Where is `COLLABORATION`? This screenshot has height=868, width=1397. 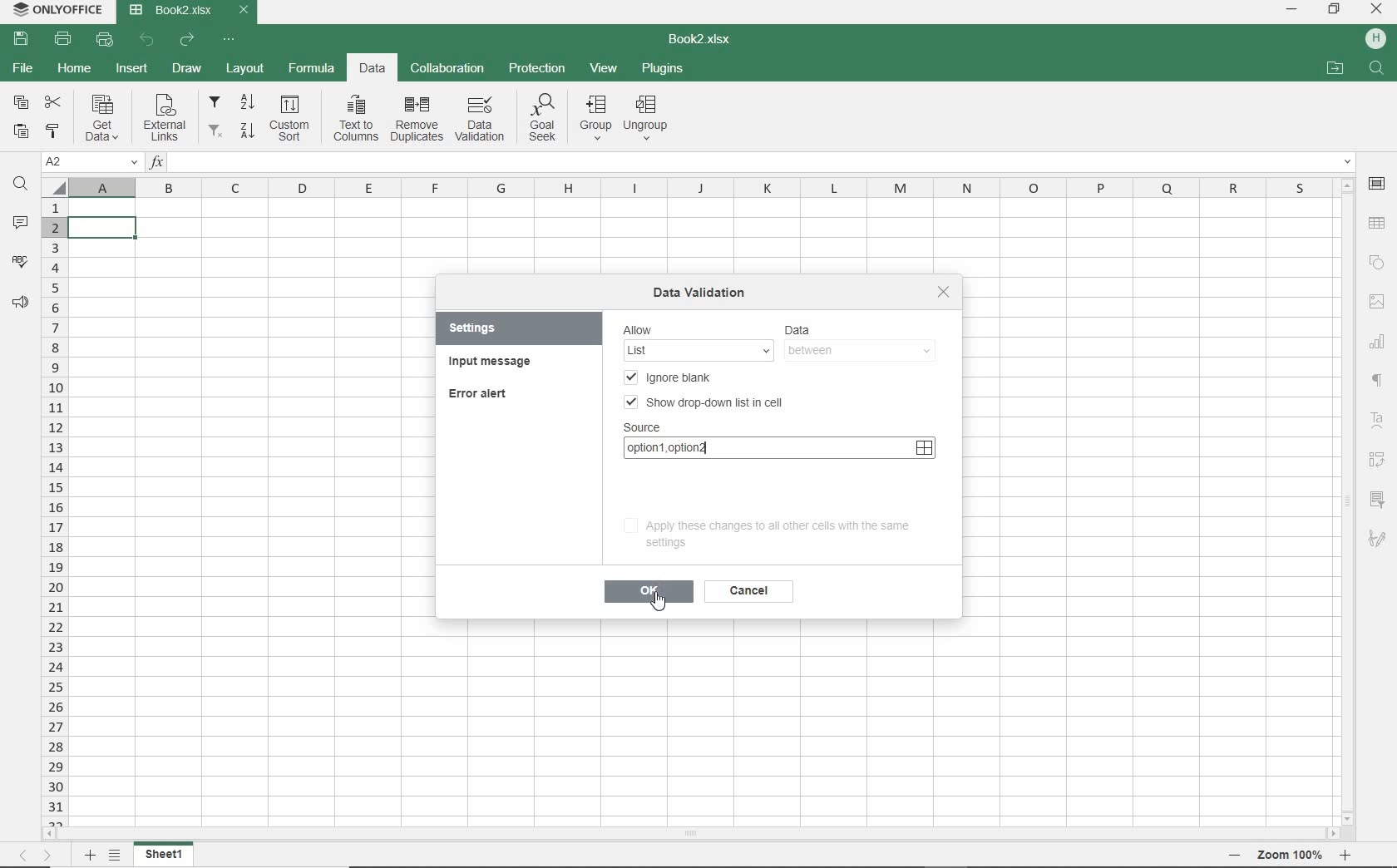 COLLABORATION is located at coordinates (446, 69).